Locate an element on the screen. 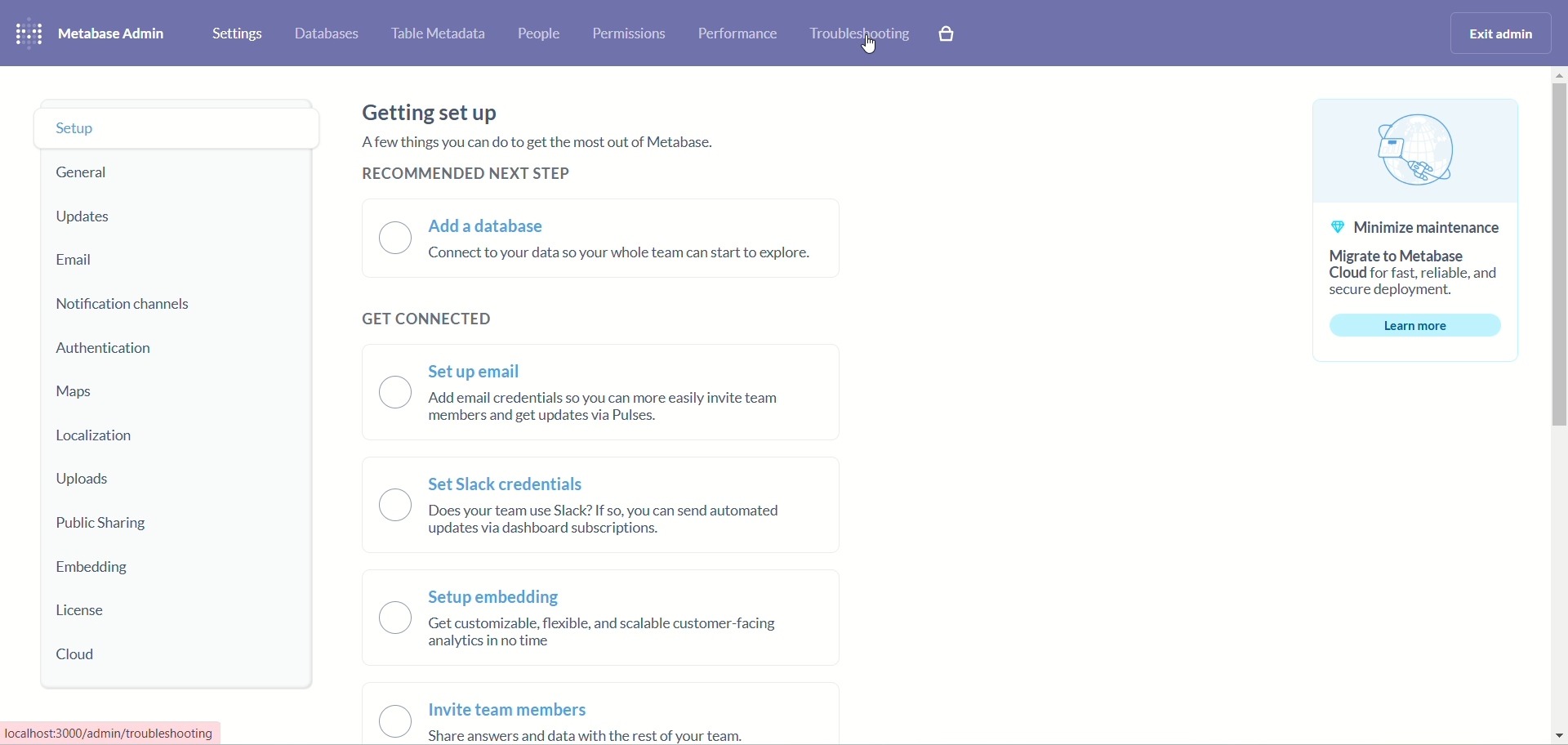 The image size is (1568, 745). troubleshooting is located at coordinates (862, 35).